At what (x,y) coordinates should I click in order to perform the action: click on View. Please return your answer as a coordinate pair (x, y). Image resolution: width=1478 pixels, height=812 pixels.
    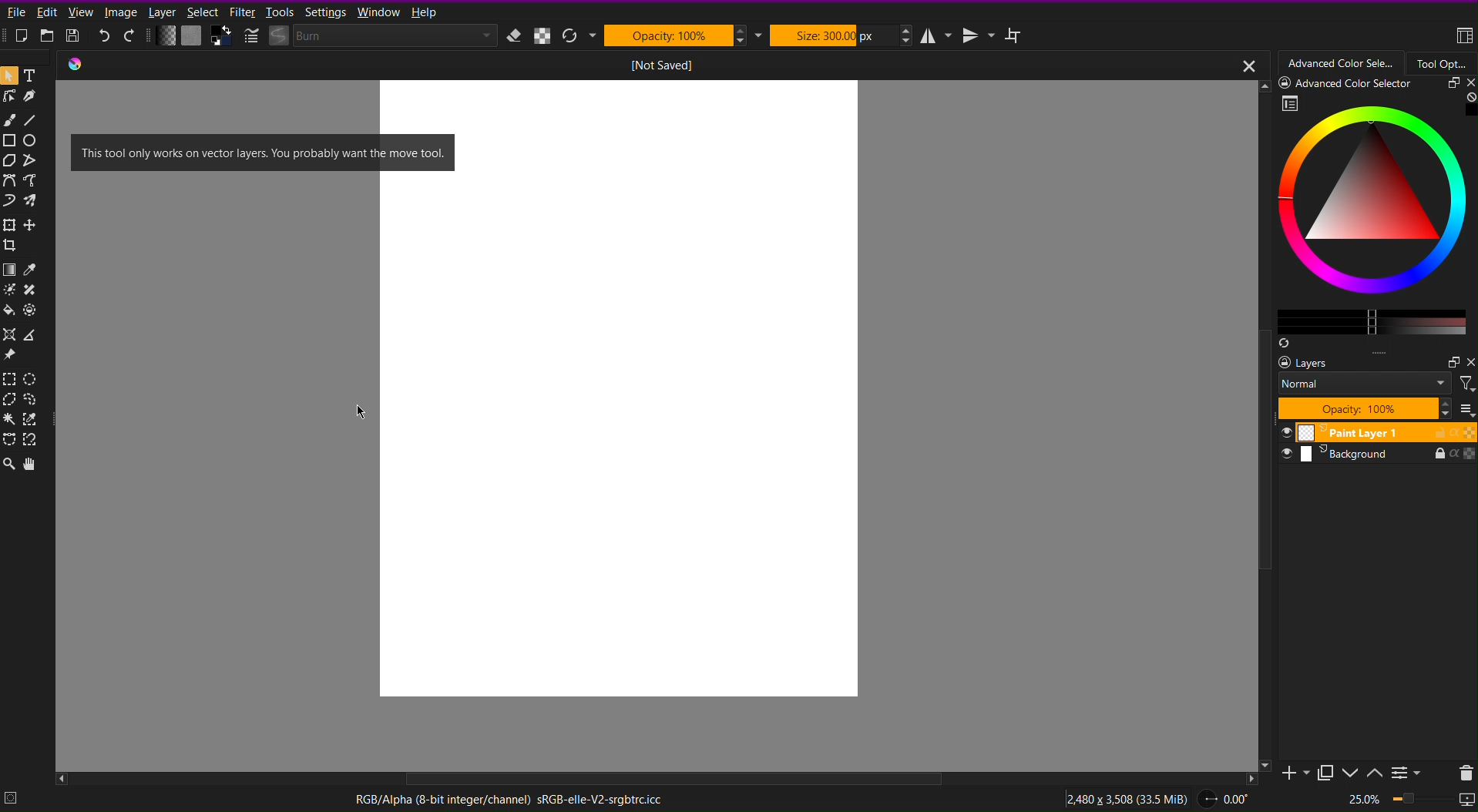
    Looking at the image, I should click on (82, 13).